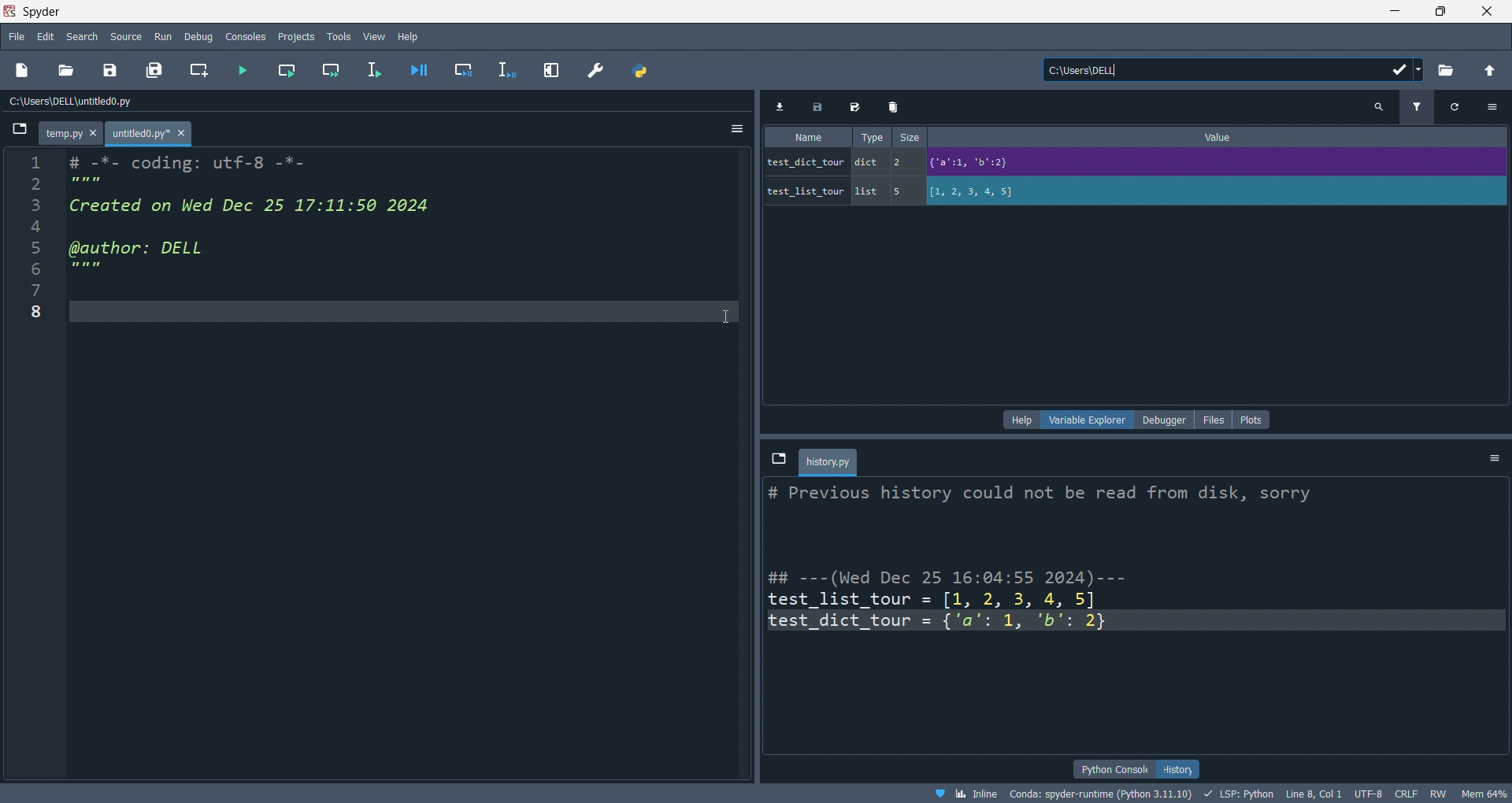 The width and height of the screenshot is (1512, 803). What do you see at coordinates (243, 71) in the screenshot?
I see `run file` at bounding box center [243, 71].